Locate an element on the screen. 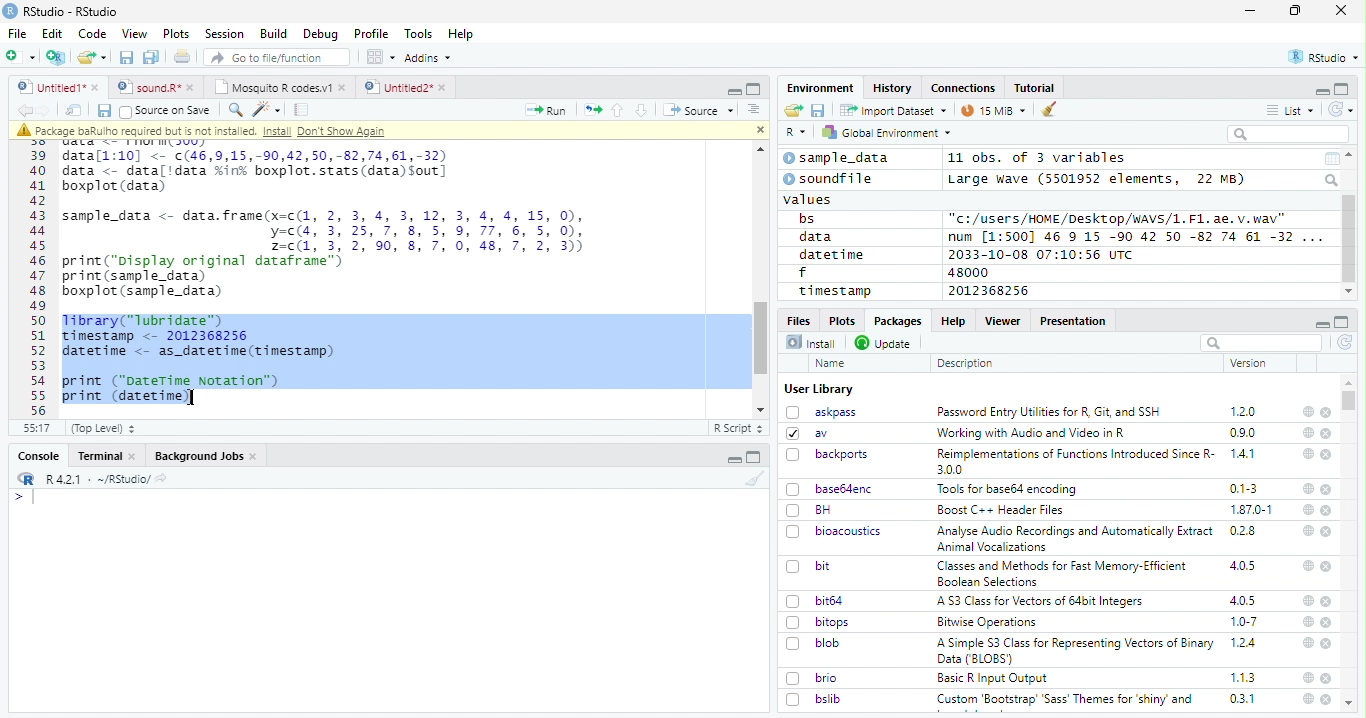 This screenshot has height=718, width=1366. 0.3.1 is located at coordinates (1242, 698).